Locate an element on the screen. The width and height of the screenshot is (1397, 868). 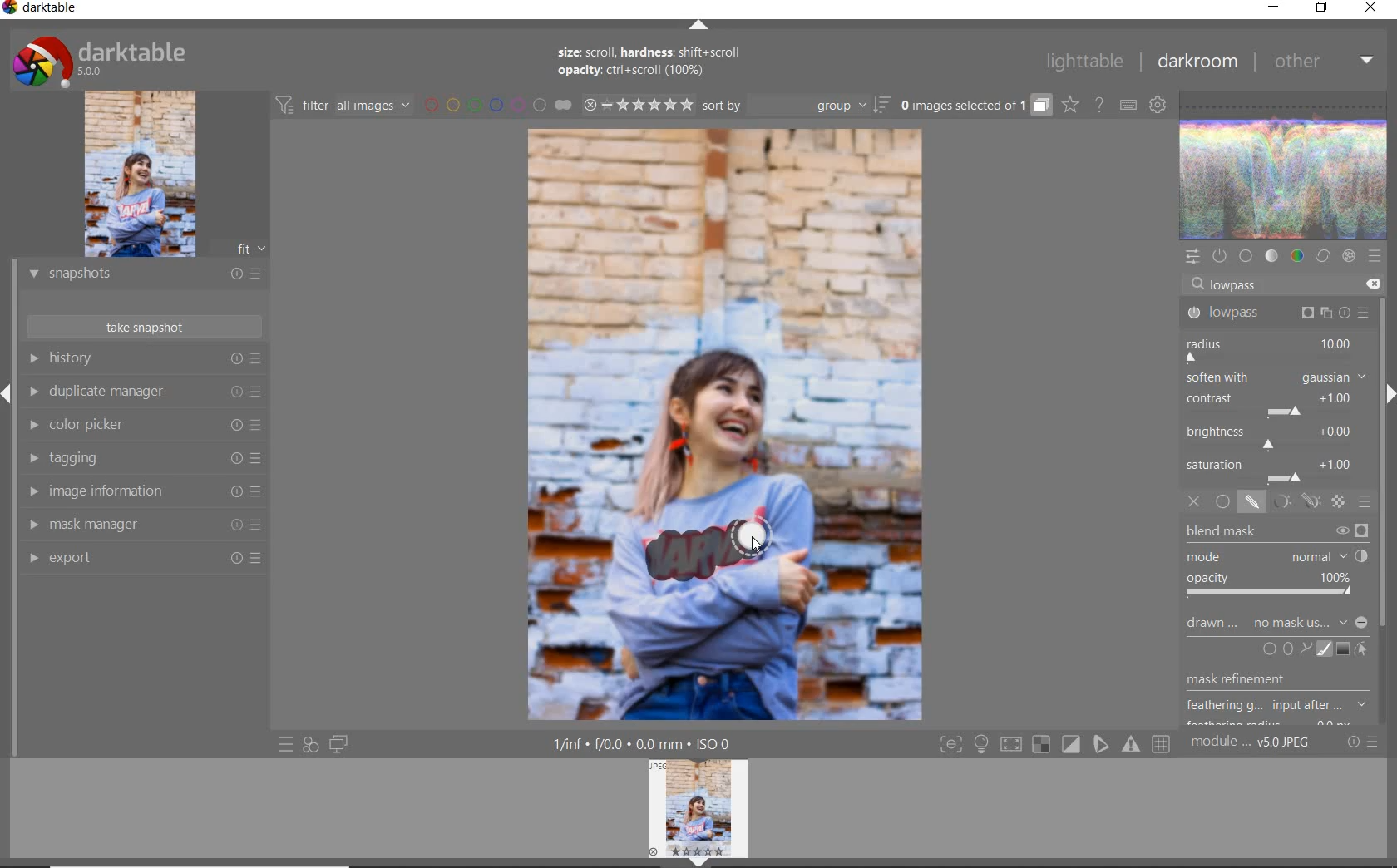
size: scroll, hardness: shift+scroll
opacity: ctrl+scroll (100%) is located at coordinates (653, 64).